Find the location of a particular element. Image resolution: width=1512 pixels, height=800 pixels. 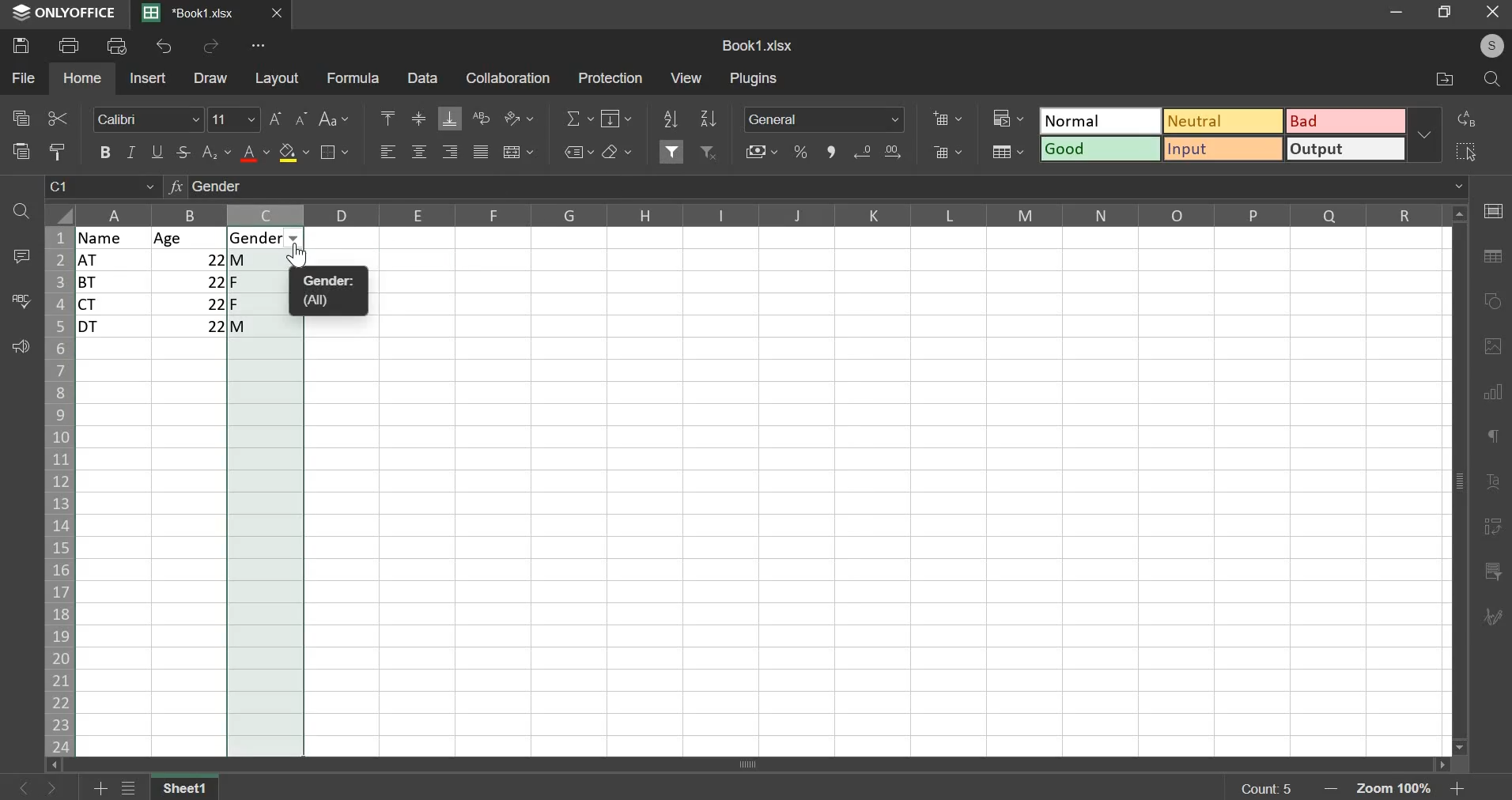

shape is located at coordinates (1490, 300).